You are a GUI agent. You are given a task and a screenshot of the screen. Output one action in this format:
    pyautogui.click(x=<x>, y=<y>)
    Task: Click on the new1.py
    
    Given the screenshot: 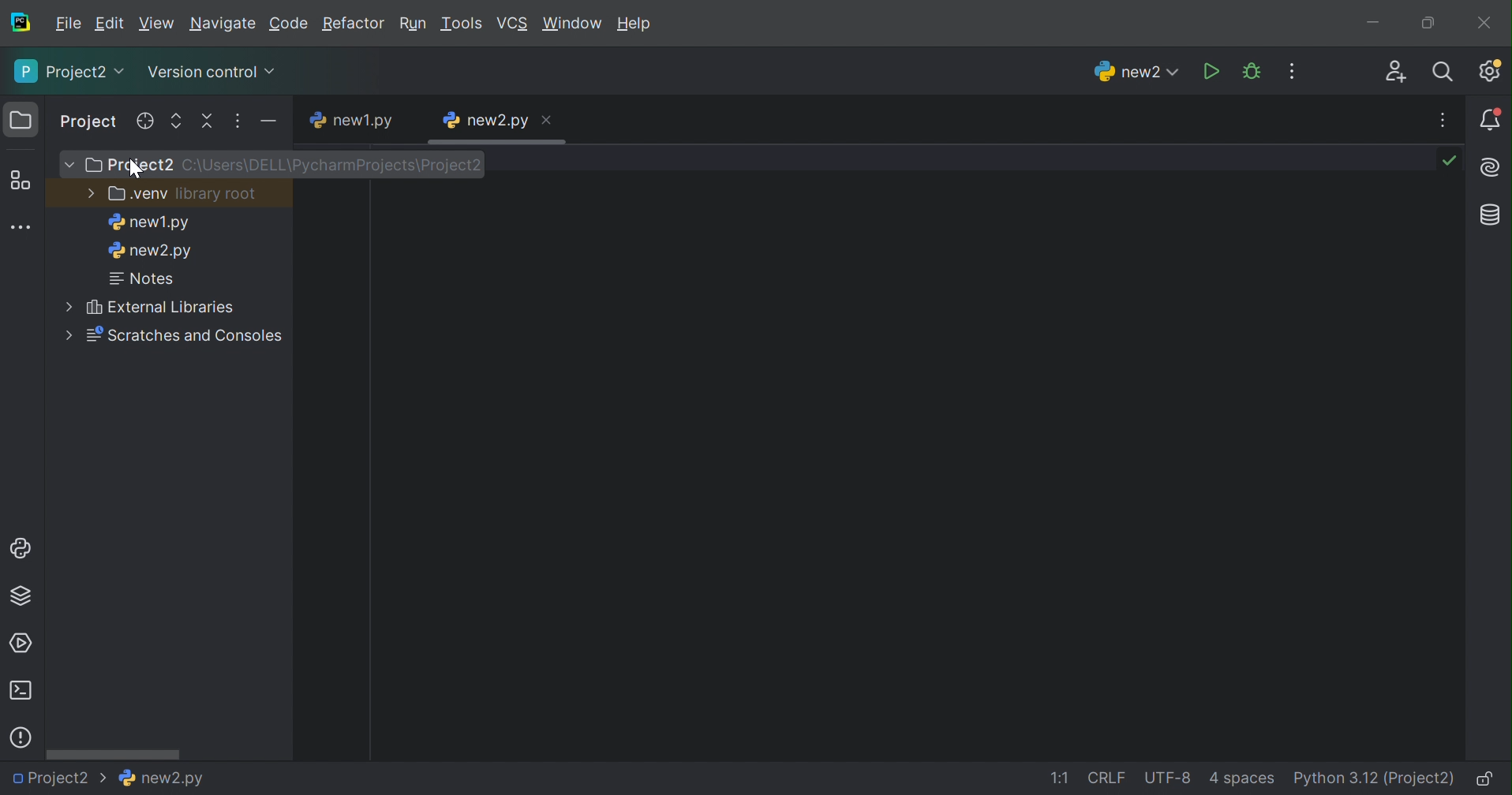 What is the action you would take?
    pyautogui.click(x=354, y=118)
    